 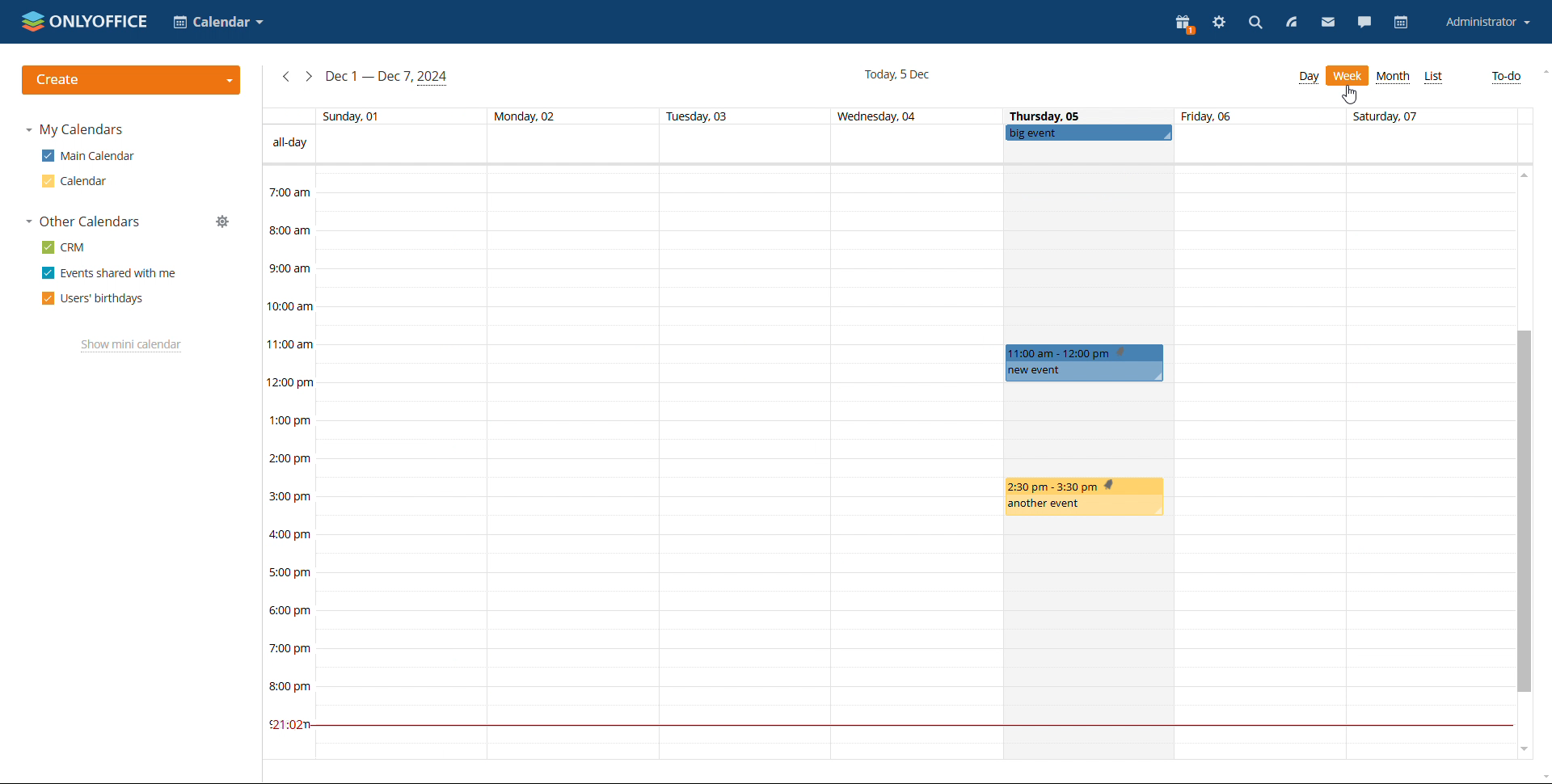 I want to click on talk, so click(x=1365, y=21).